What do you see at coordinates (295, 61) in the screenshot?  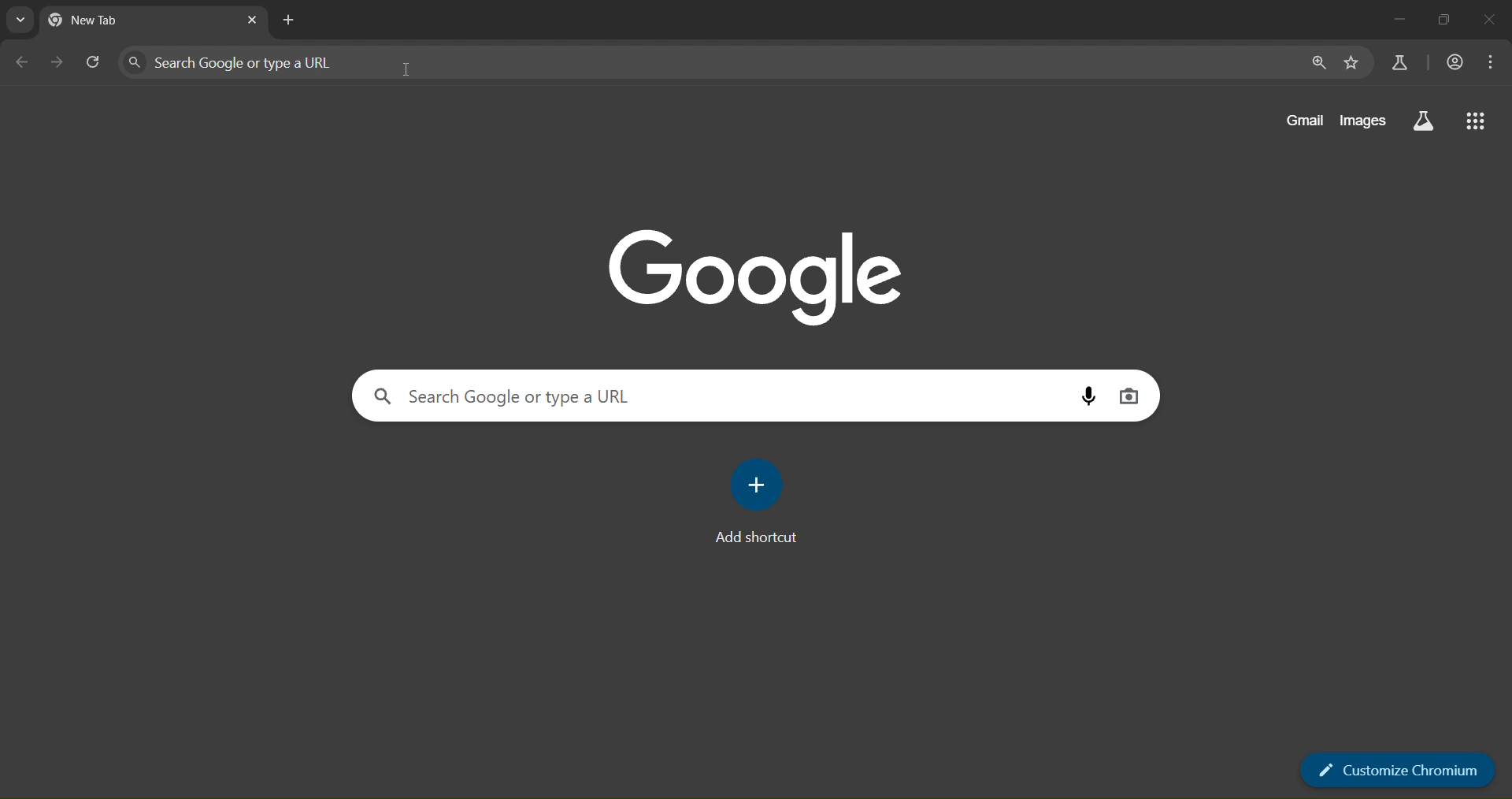 I see `search panel` at bounding box center [295, 61].